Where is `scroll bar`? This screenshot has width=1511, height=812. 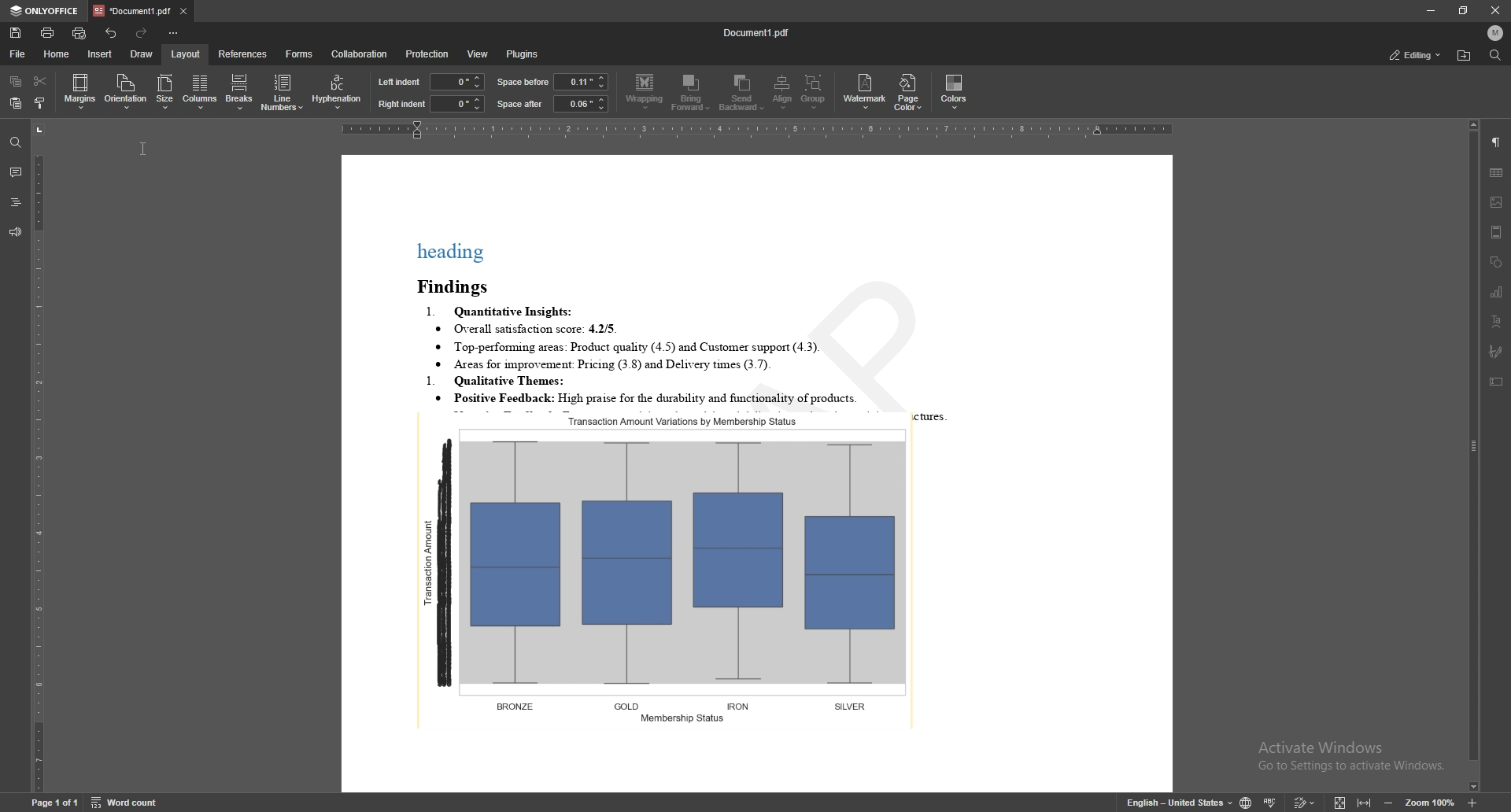
scroll bar is located at coordinates (1473, 456).